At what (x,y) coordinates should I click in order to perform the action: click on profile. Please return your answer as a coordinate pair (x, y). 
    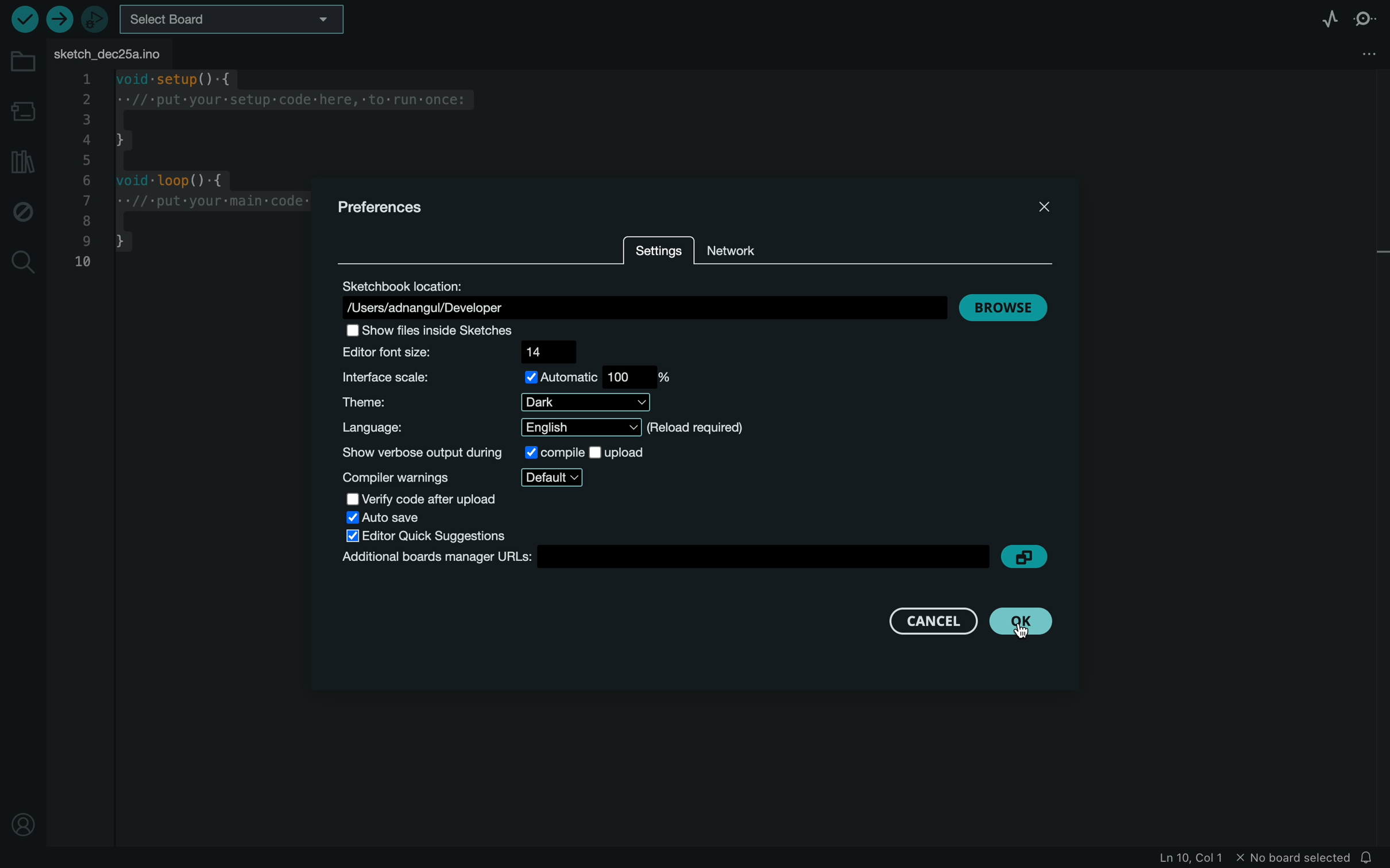
    Looking at the image, I should click on (24, 816).